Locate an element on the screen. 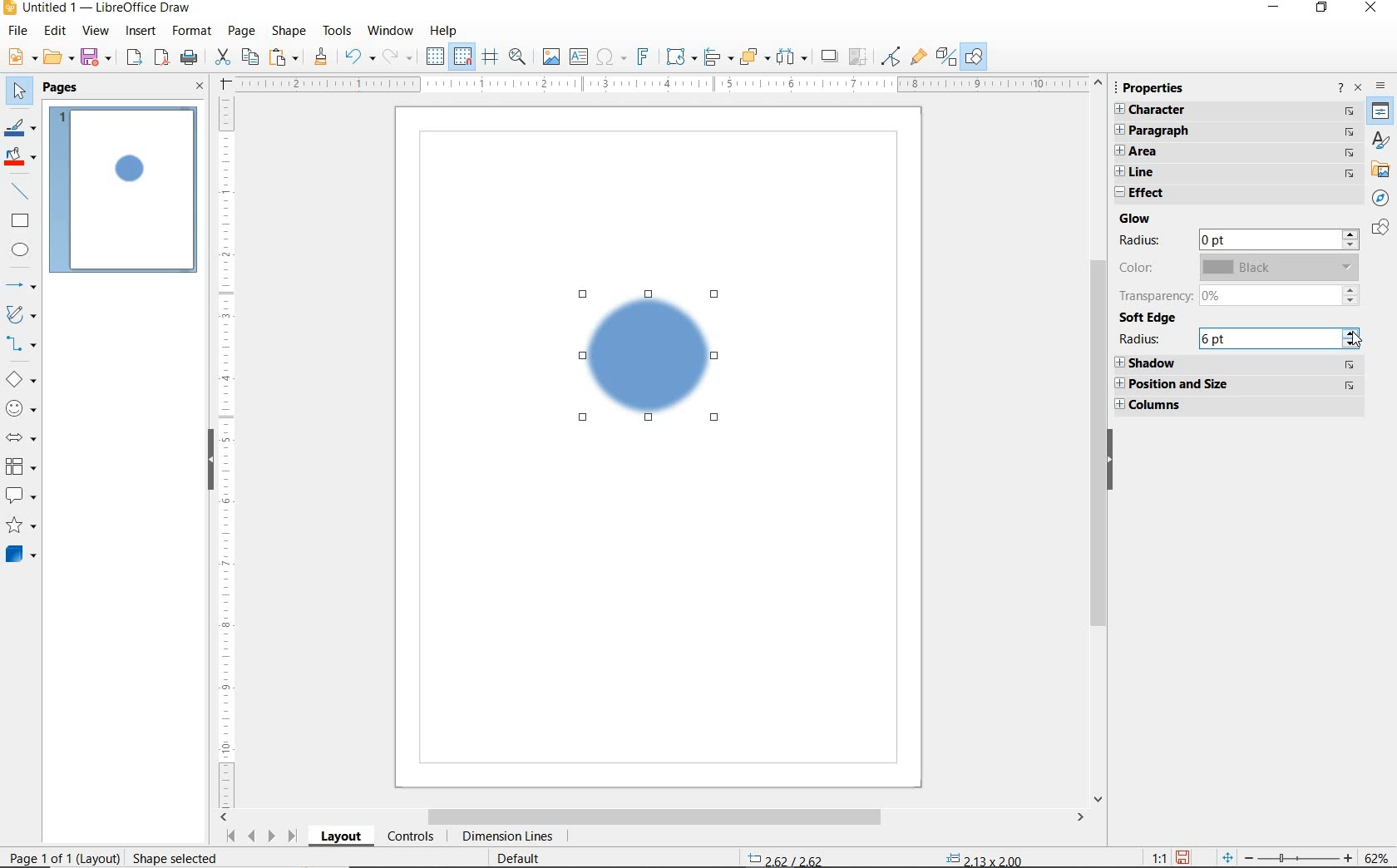 Image resolution: width=1397 pixels, height=868 pixels. increase/decrease arrows is located at coordinates (1352, 240).